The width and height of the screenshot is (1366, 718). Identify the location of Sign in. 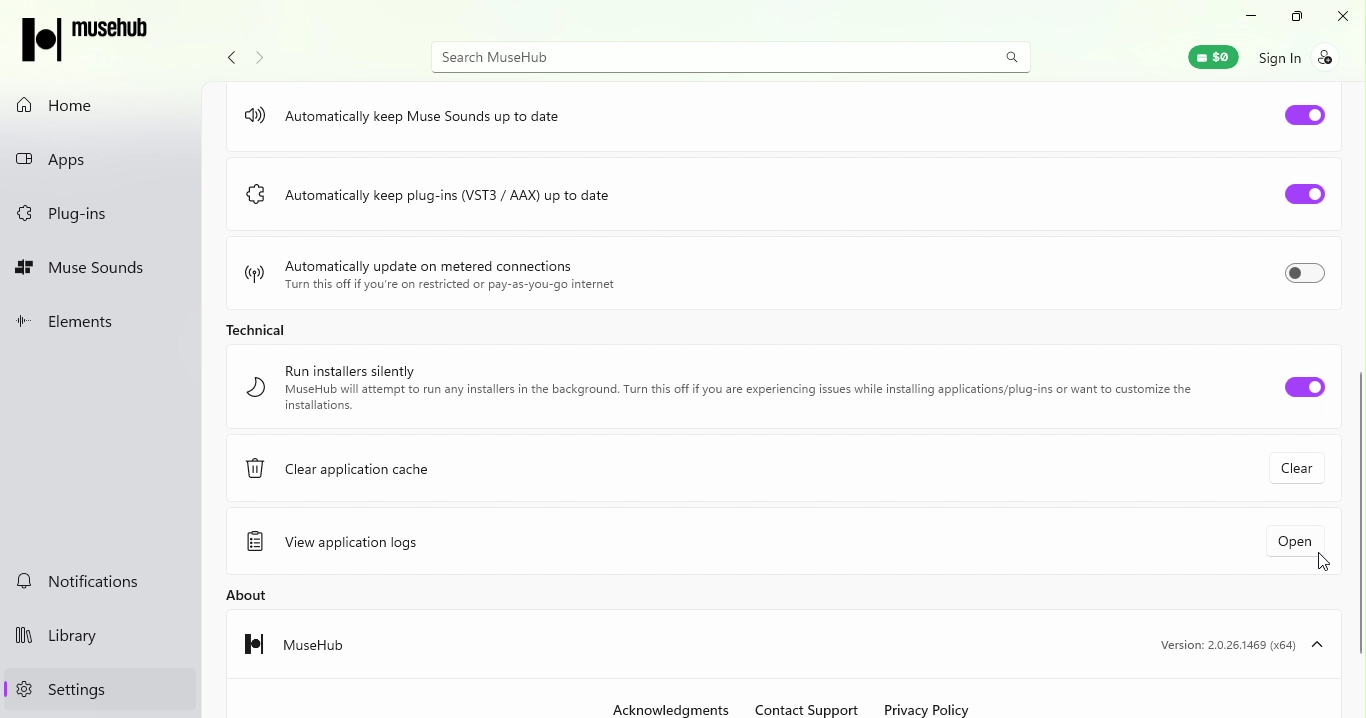
(1300, 57).